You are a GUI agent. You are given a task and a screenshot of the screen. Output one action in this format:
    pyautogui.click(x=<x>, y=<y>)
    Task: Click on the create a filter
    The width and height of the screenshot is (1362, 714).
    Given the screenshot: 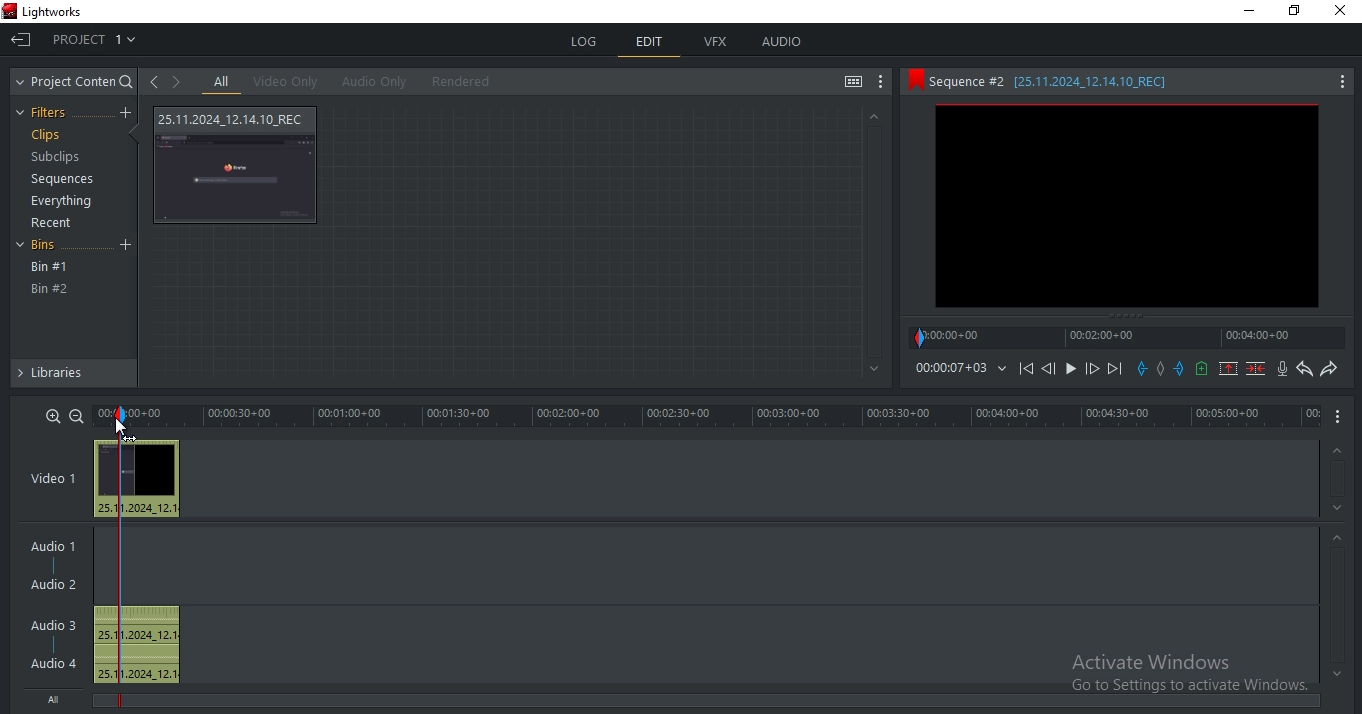 What is the action you would take?
    pyautogui.click(x=125, y=113)
    